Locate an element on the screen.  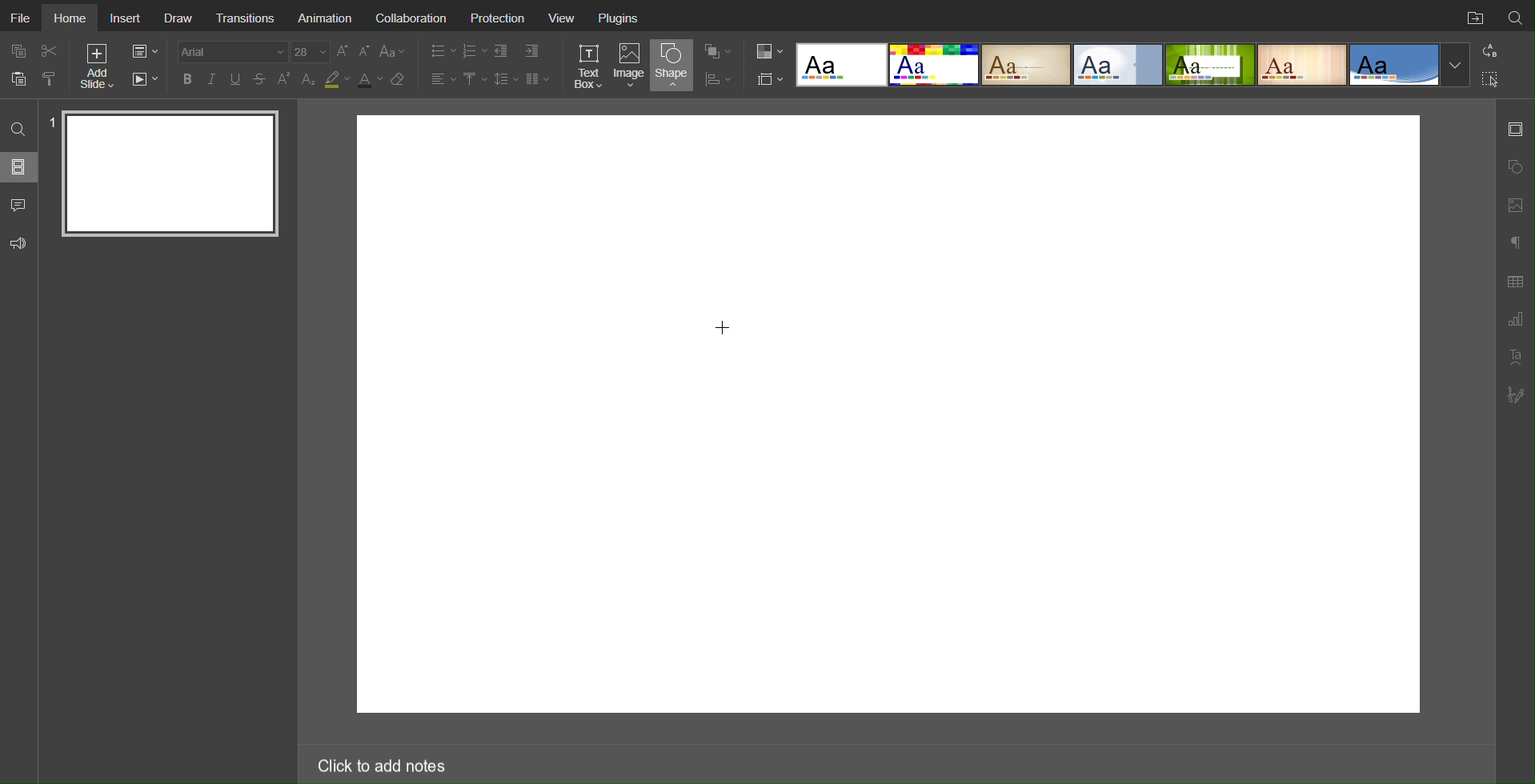
Slide 1 is located at coordinates (171, 174).